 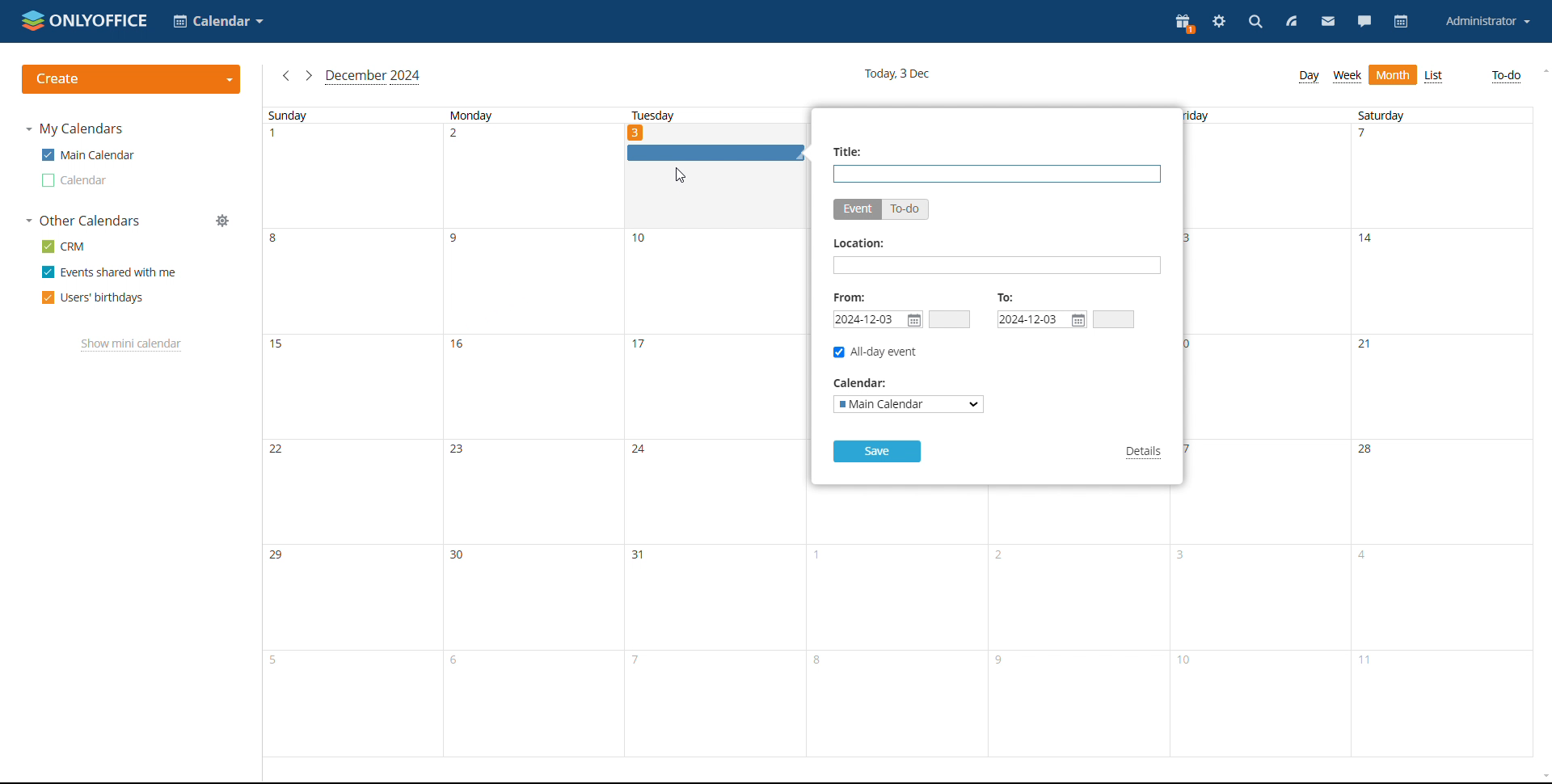 What do you see at coordinates (1508, 77) in the screenshot?
I see `to-do` at bounding box center [1508, 77].